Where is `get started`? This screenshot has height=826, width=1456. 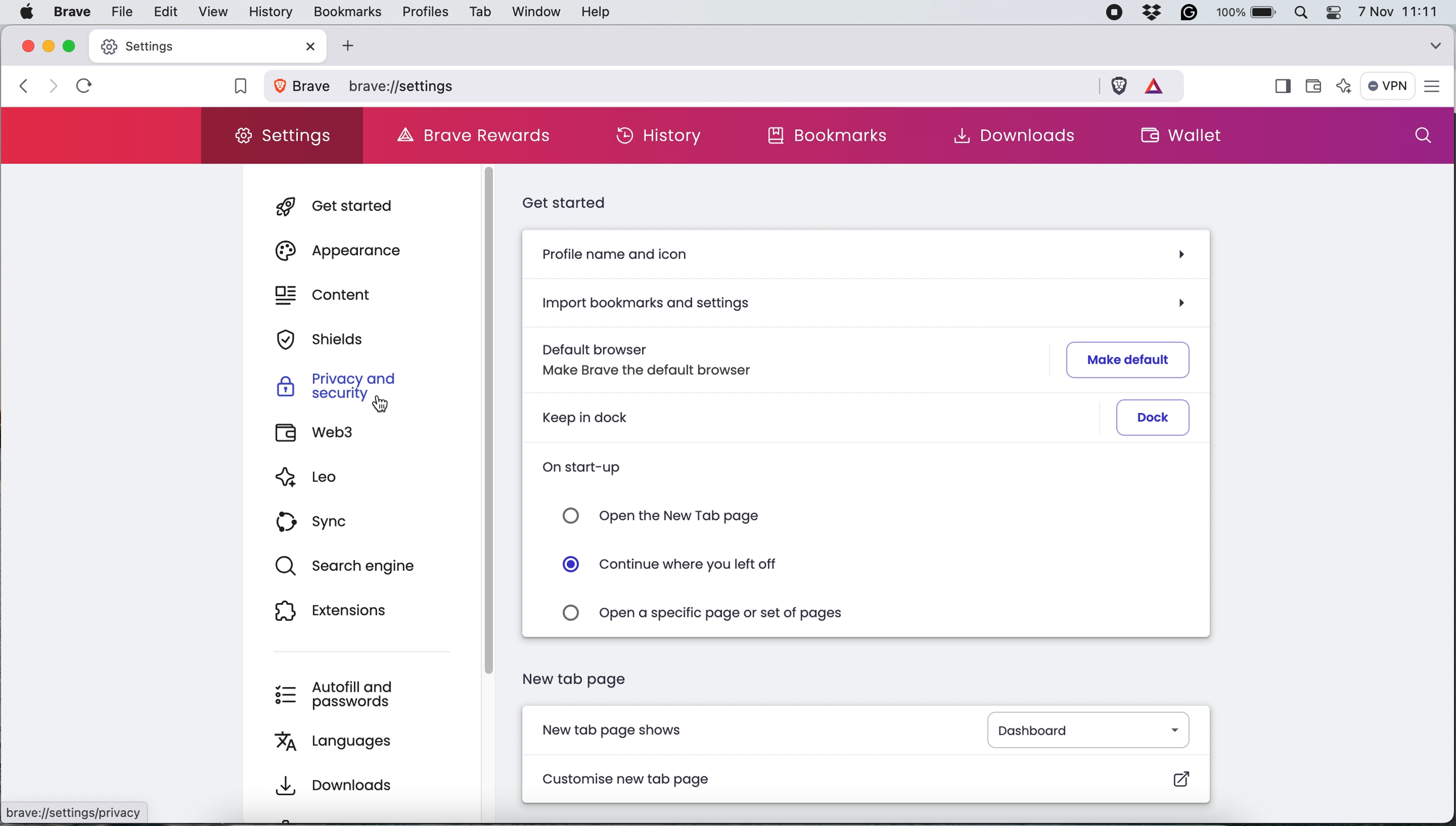 get started is located at coordinates (568, 203).